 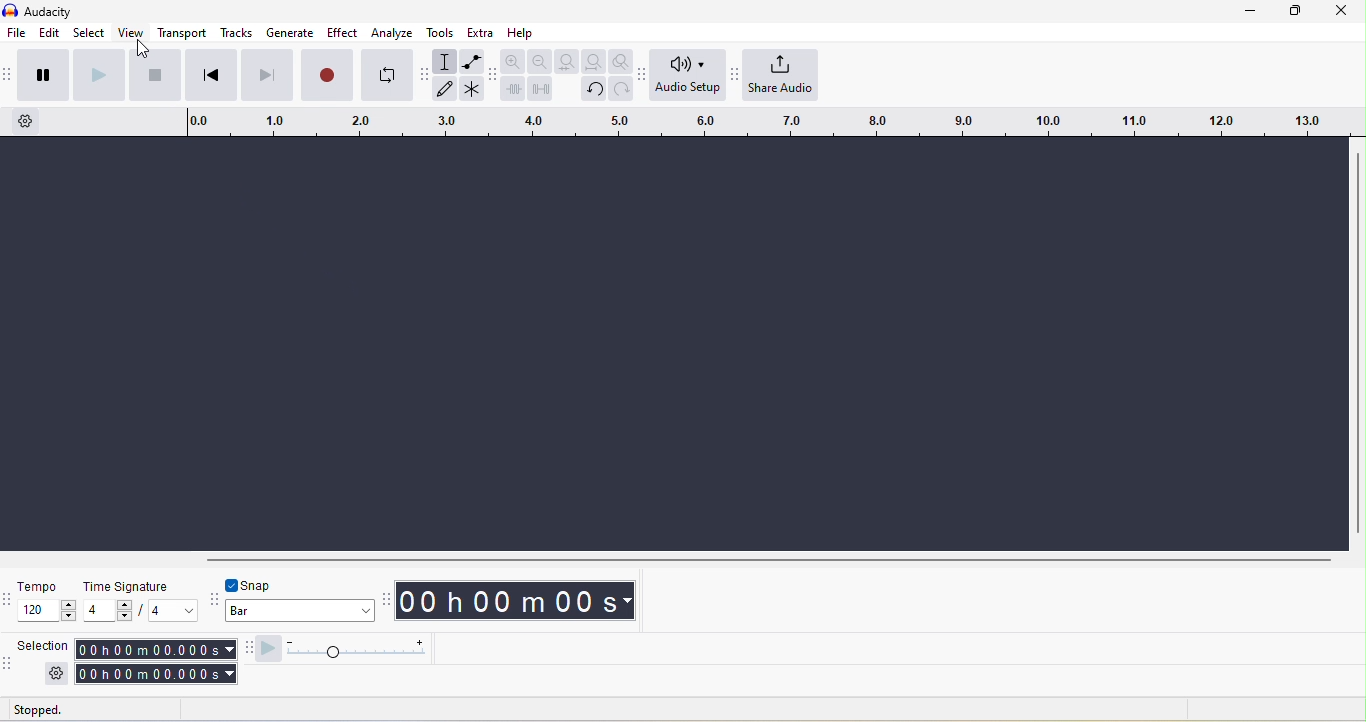 I want to click on timestamp, so click(x=515, y=601).